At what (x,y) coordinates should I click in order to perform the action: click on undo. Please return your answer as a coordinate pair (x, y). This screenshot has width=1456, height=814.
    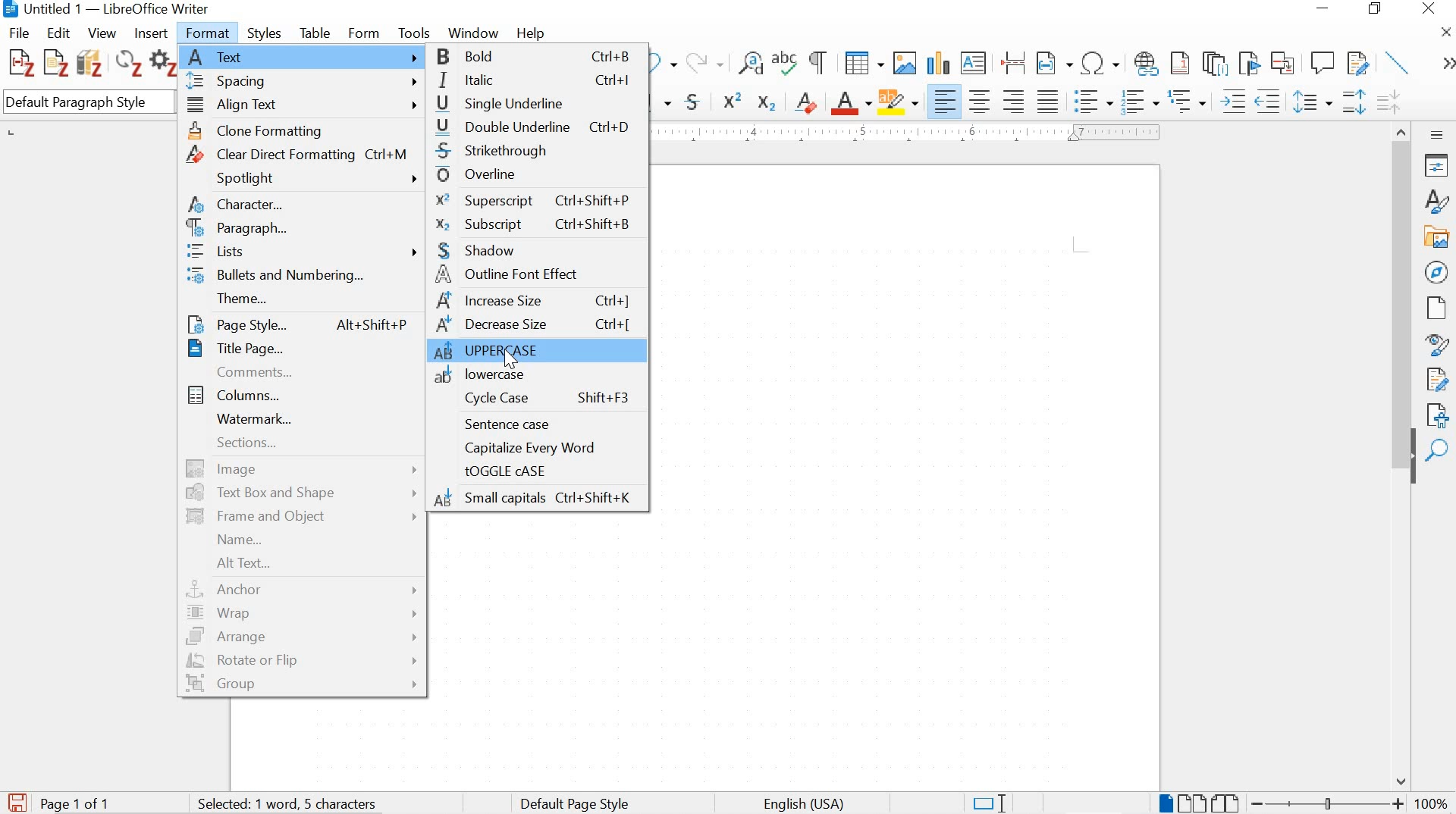
    Looking at the image, I should click on (664, 64).